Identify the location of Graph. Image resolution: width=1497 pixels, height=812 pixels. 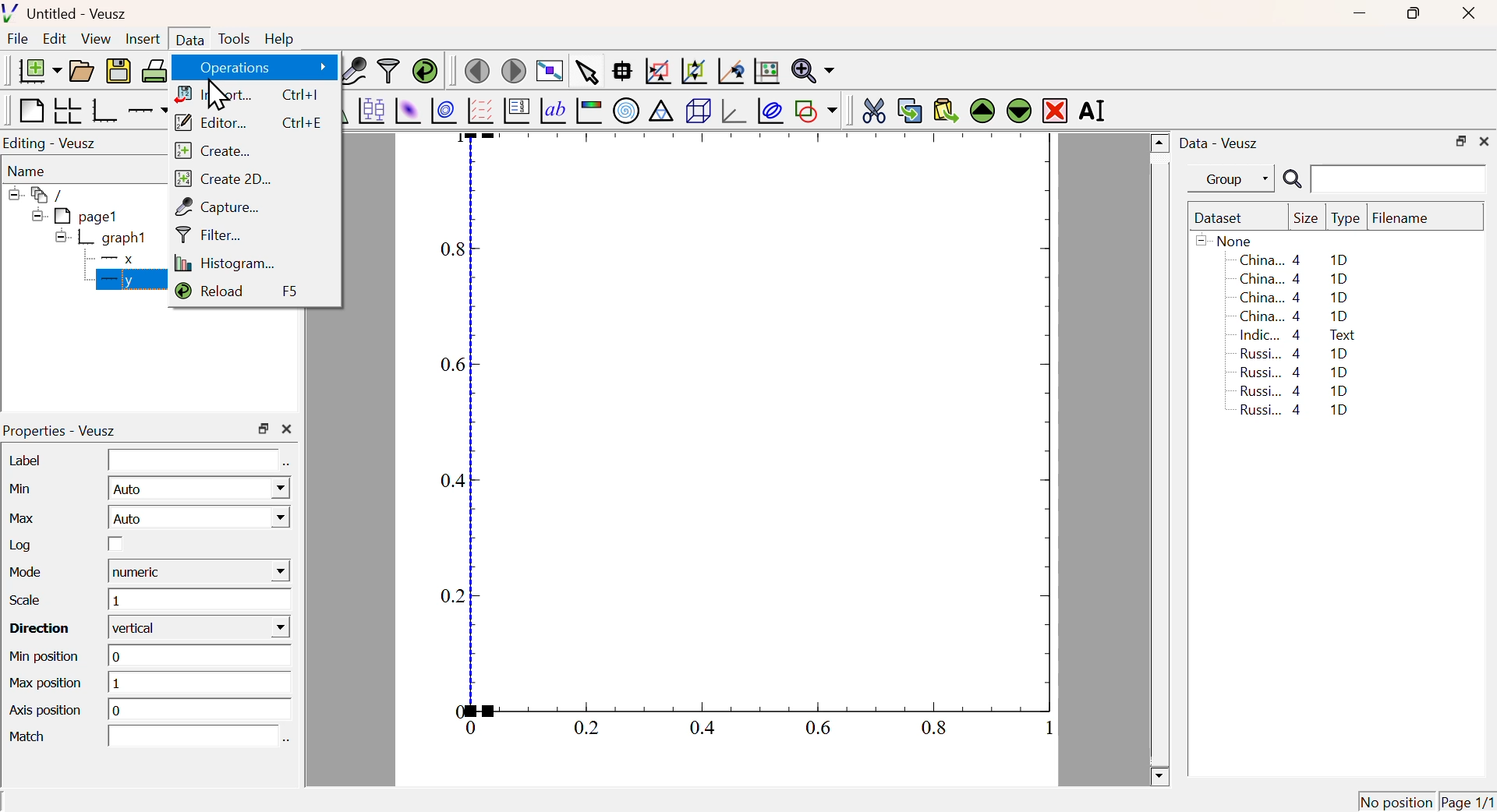
(737, 441).